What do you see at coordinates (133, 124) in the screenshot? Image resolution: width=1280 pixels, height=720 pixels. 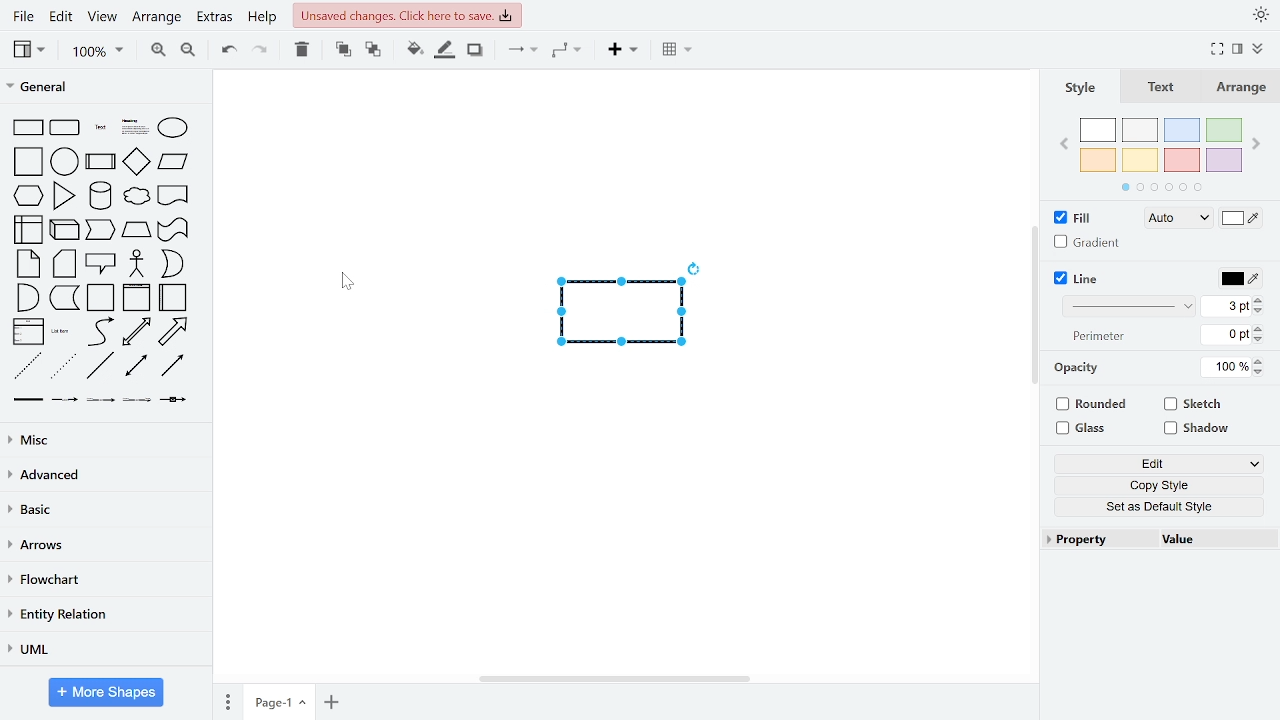 I see `general shapes` at bounding box center [133, 124].